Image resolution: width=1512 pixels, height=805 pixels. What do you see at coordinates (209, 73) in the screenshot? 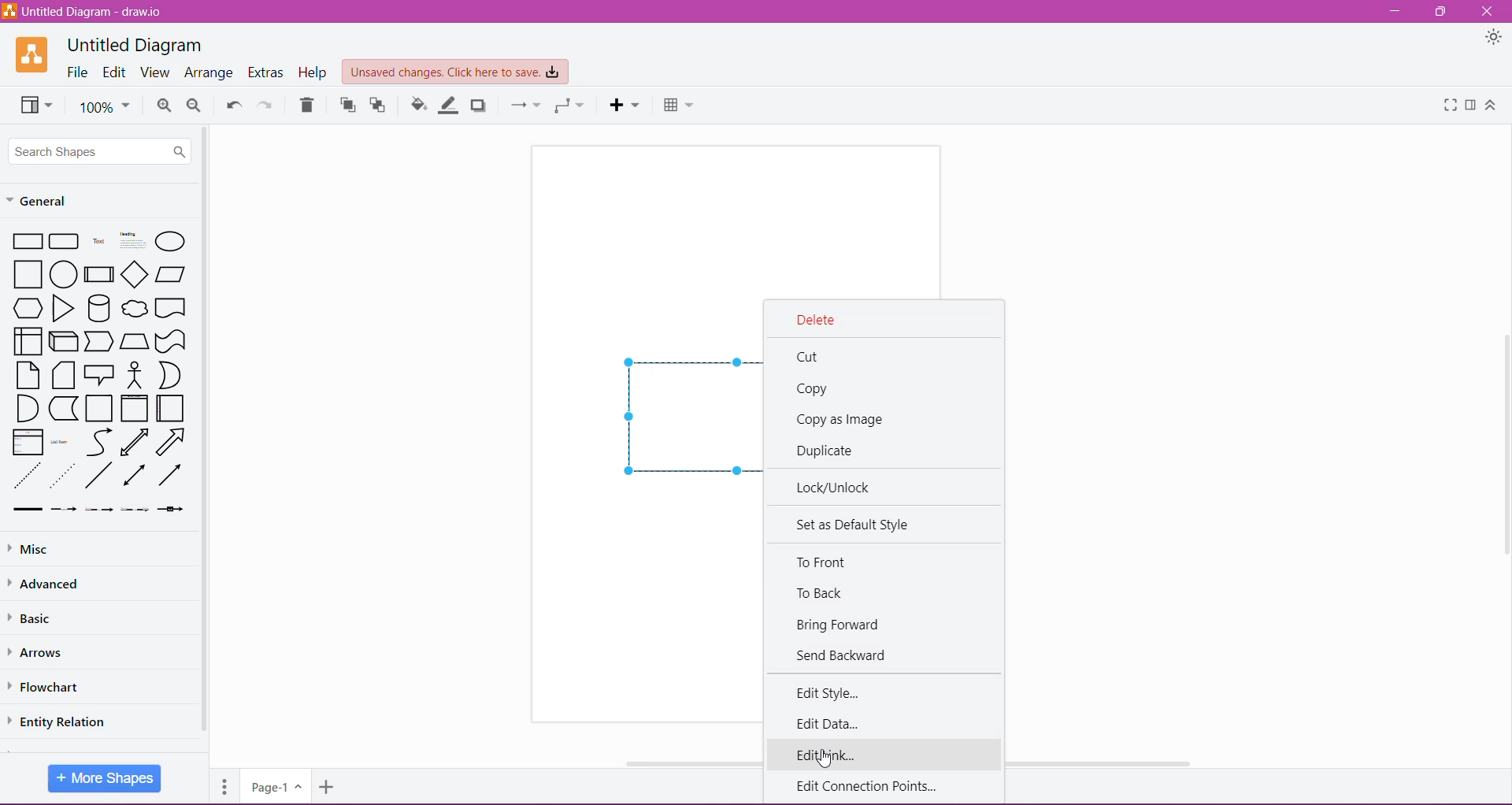
I see `Arrange` at bounding box center [209, 73].